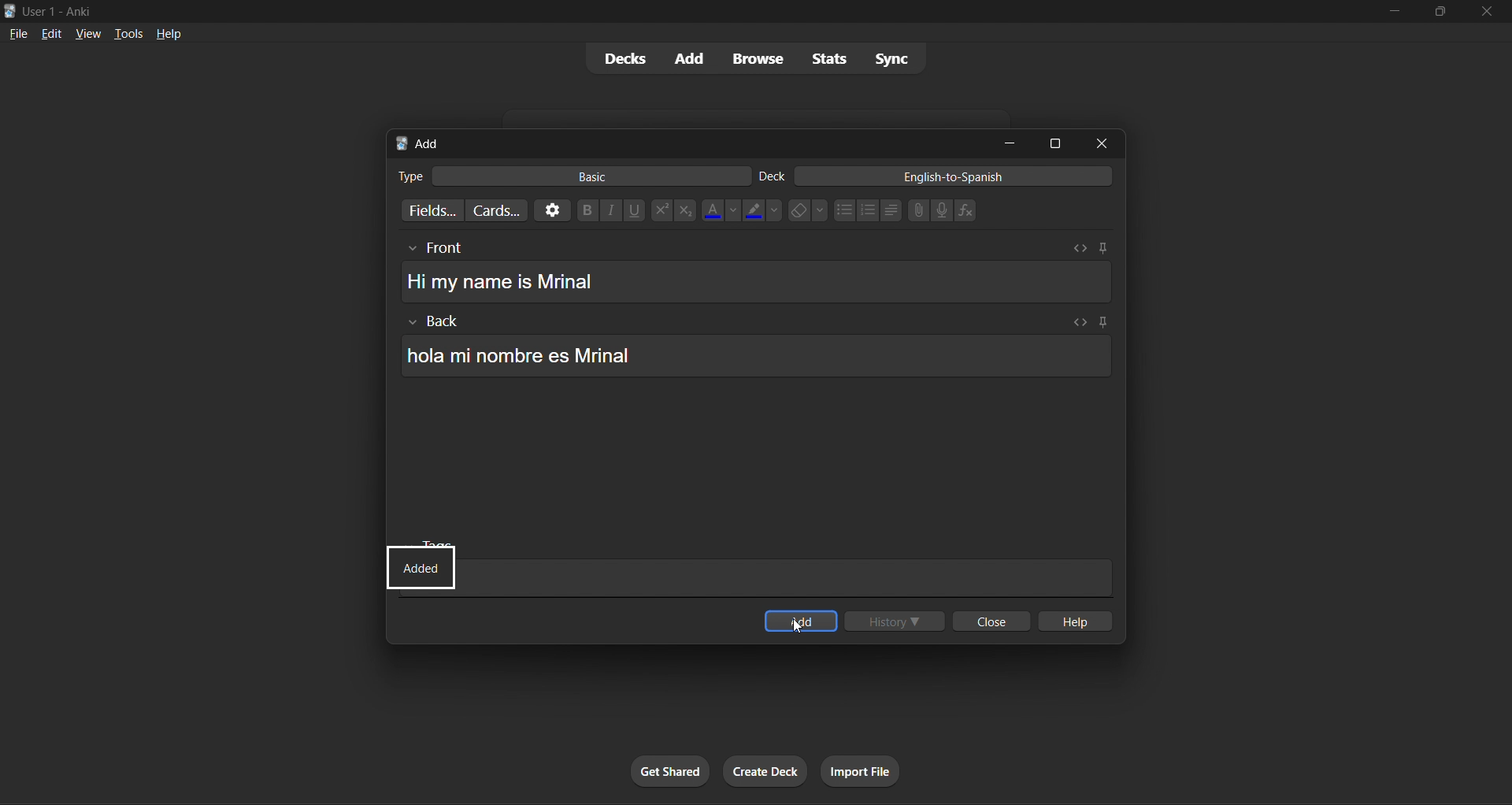 Image resolution: width=1512 pixels, height=805 pixels. What do you see at coordinates (685, 140) in the screenshot?
I see `add card title bar` at bounding box center [685, 140].